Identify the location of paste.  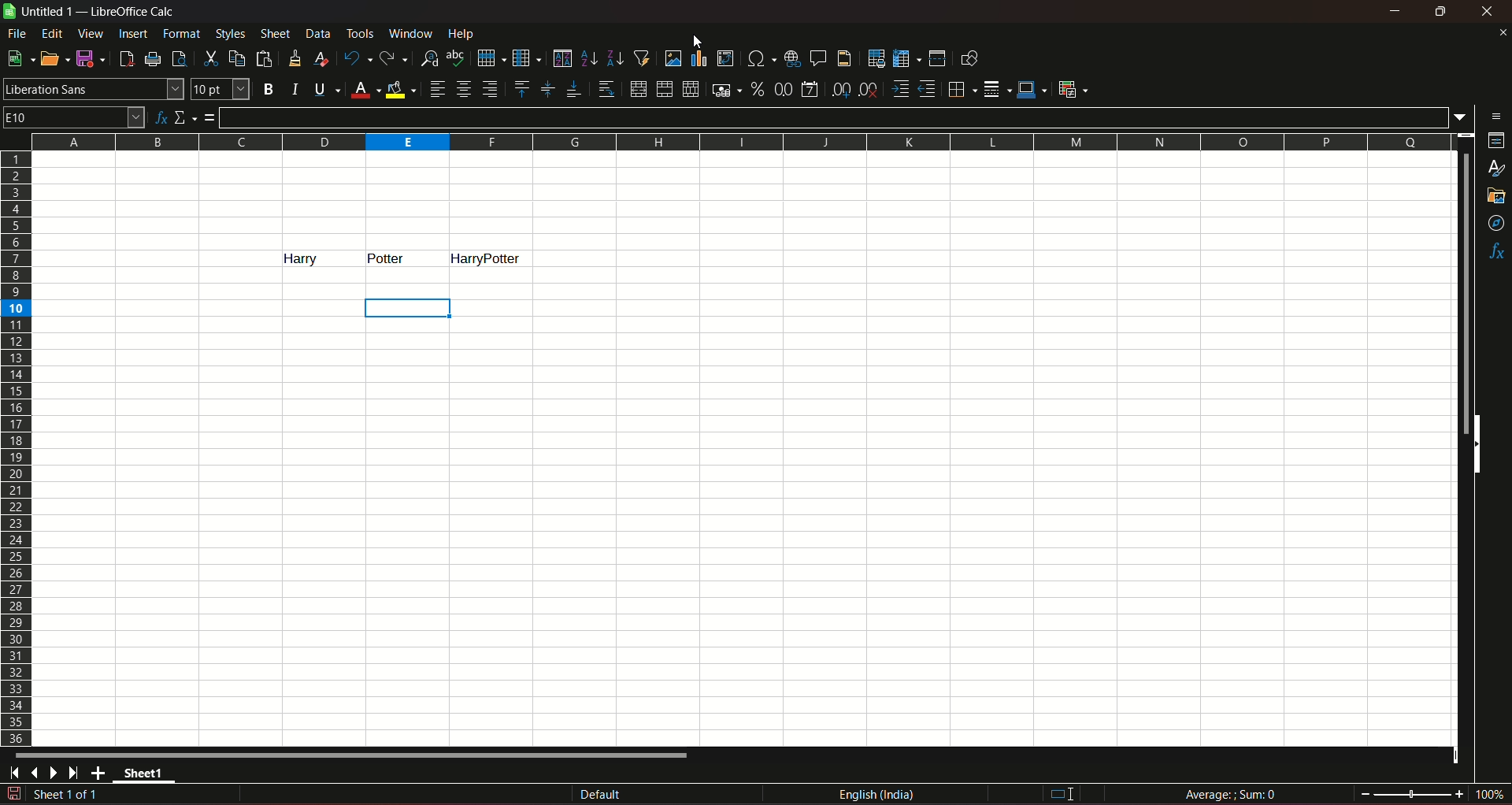
(266, 58).